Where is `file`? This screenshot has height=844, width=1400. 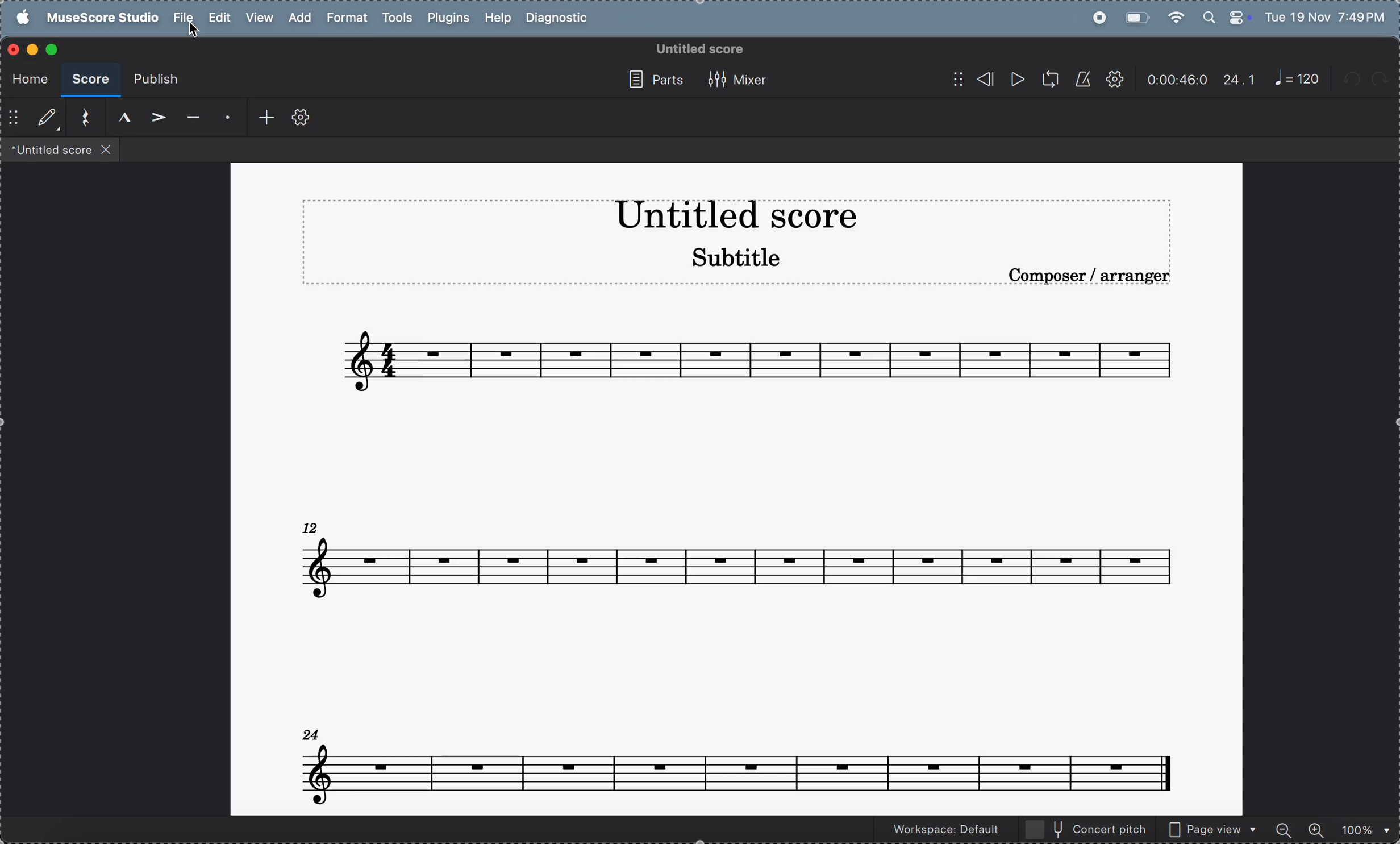 file is located at coordinates (183, 18).